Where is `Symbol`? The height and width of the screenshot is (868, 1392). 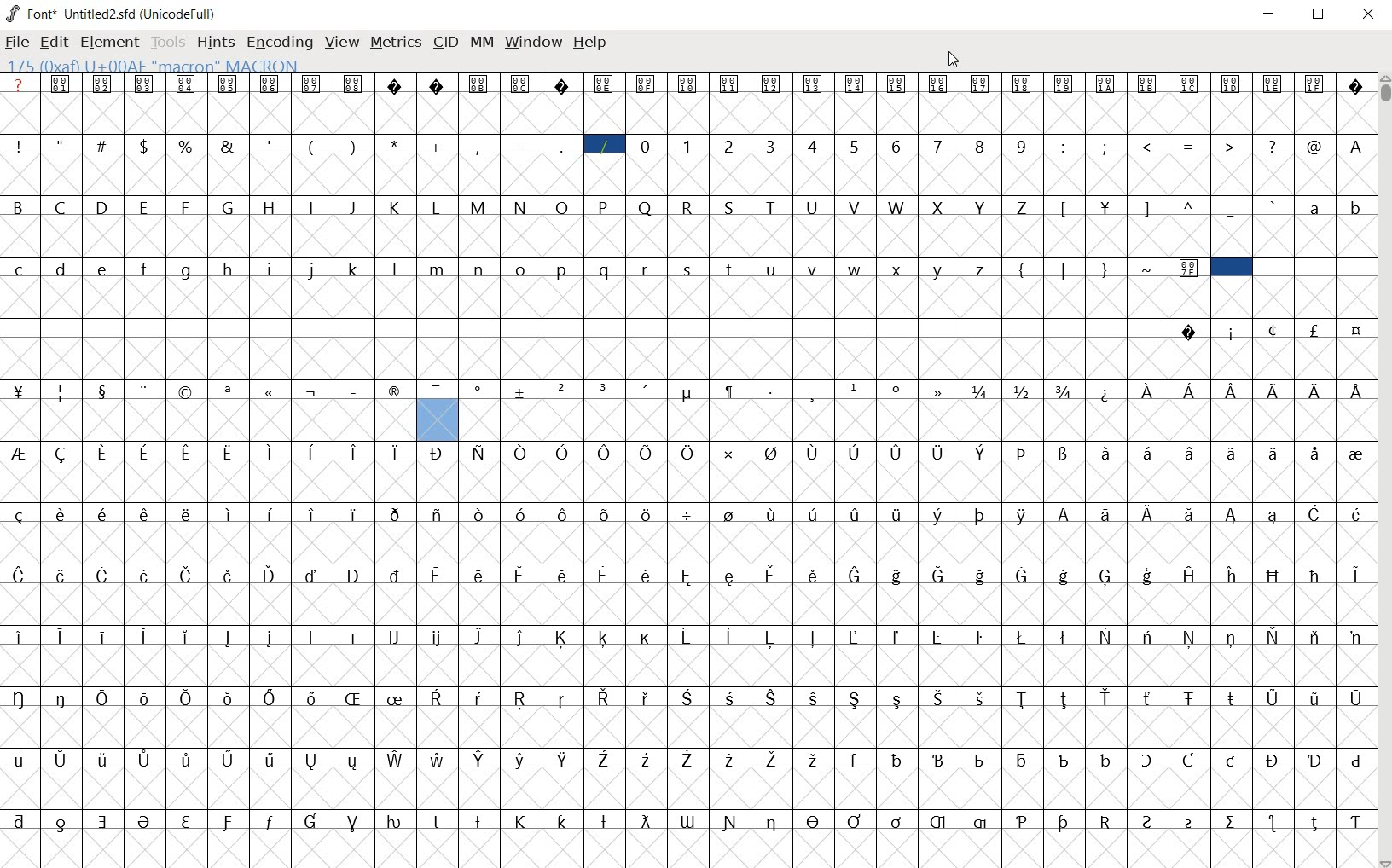
Symbol is located at coordinates (1273, 575).